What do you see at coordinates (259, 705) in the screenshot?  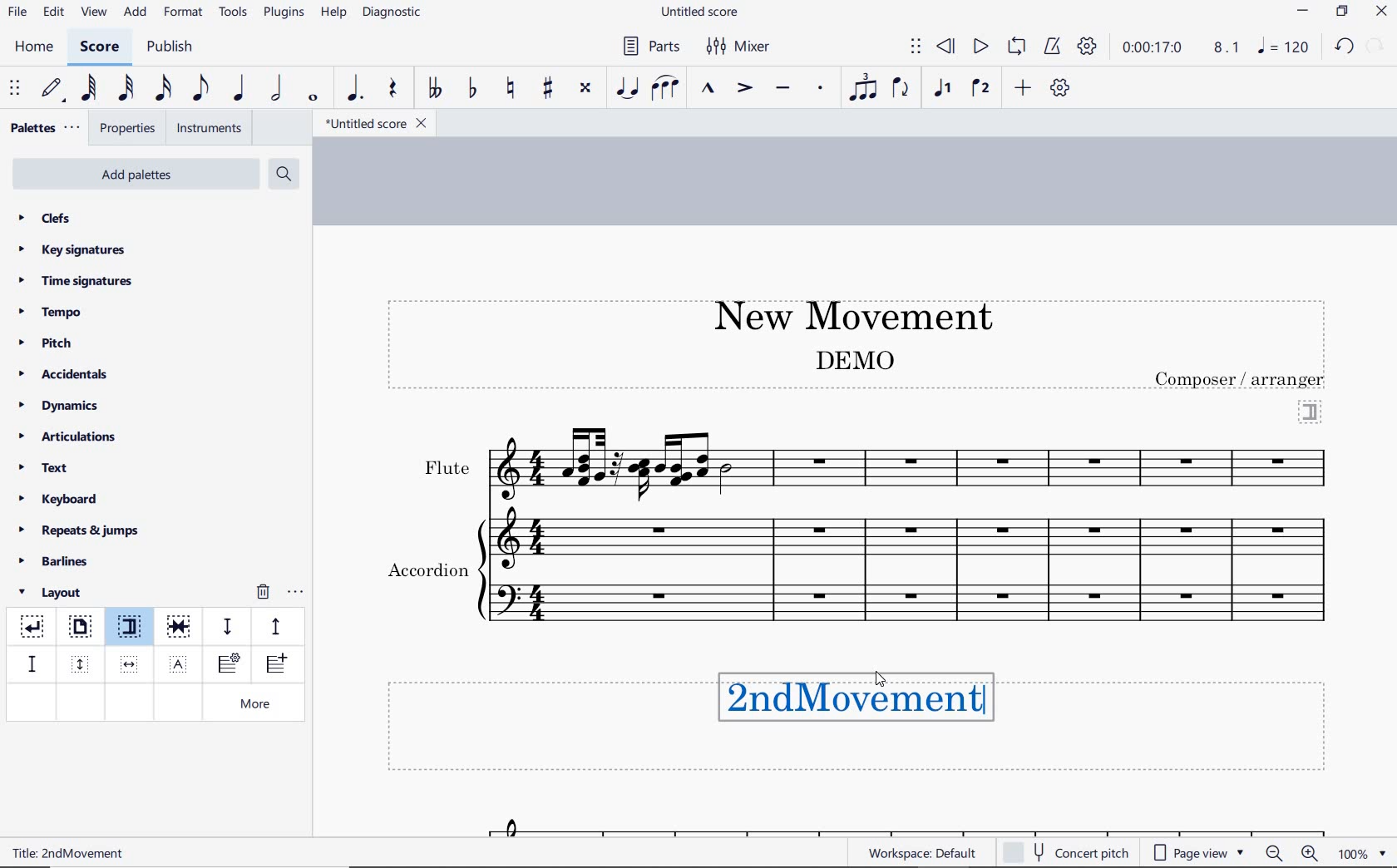 I see `more` at bounding box center [259, 705].